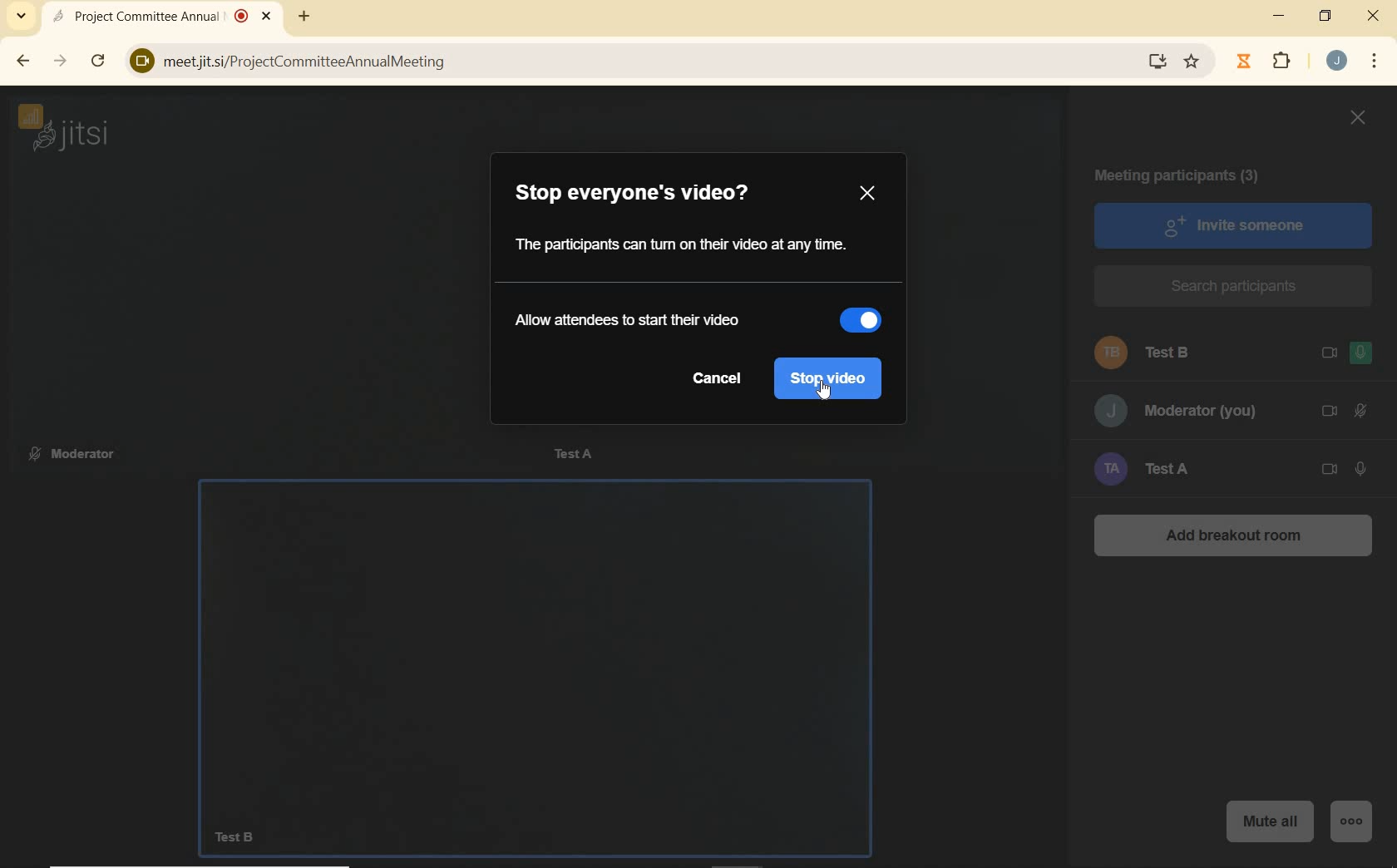  What do you see at coordinates (1337, 62) in the screenshot?
I see `ACCOUNT` at bounding box center [1337, 62].